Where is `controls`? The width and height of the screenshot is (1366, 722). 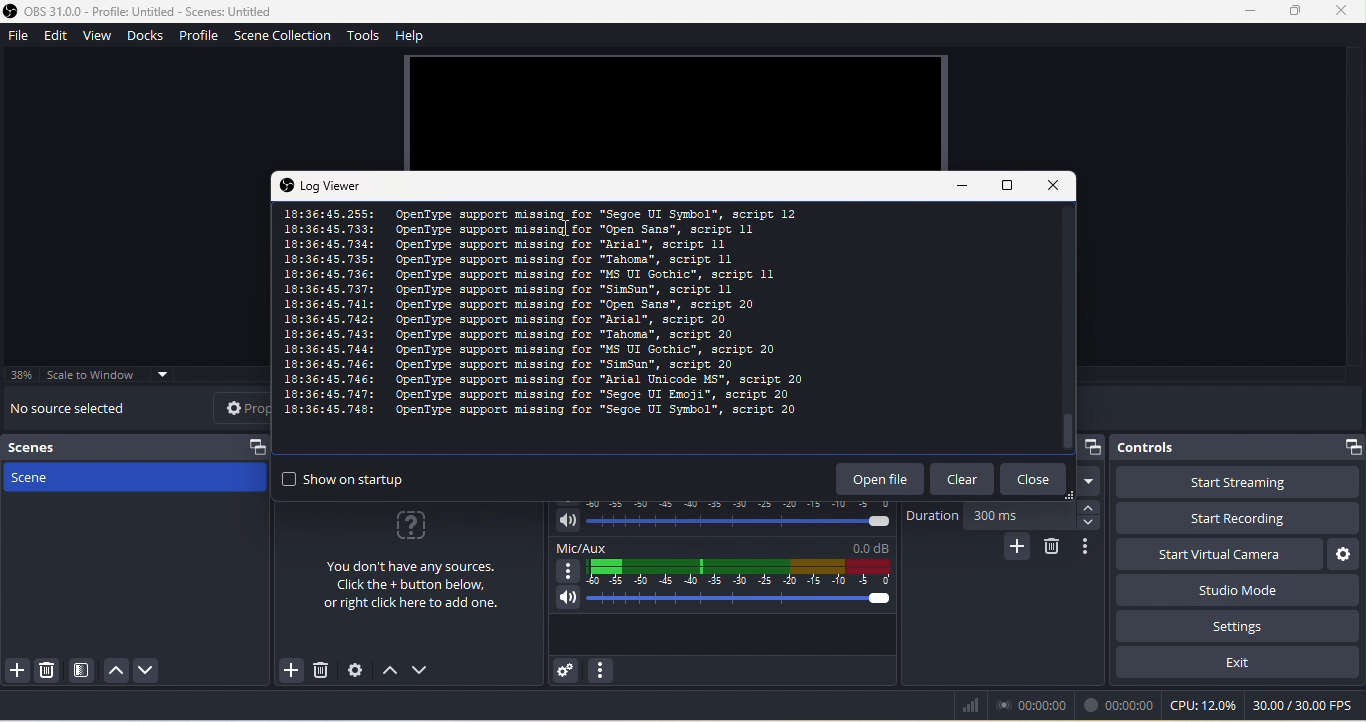 controls is located at coordinates (1223, 444).